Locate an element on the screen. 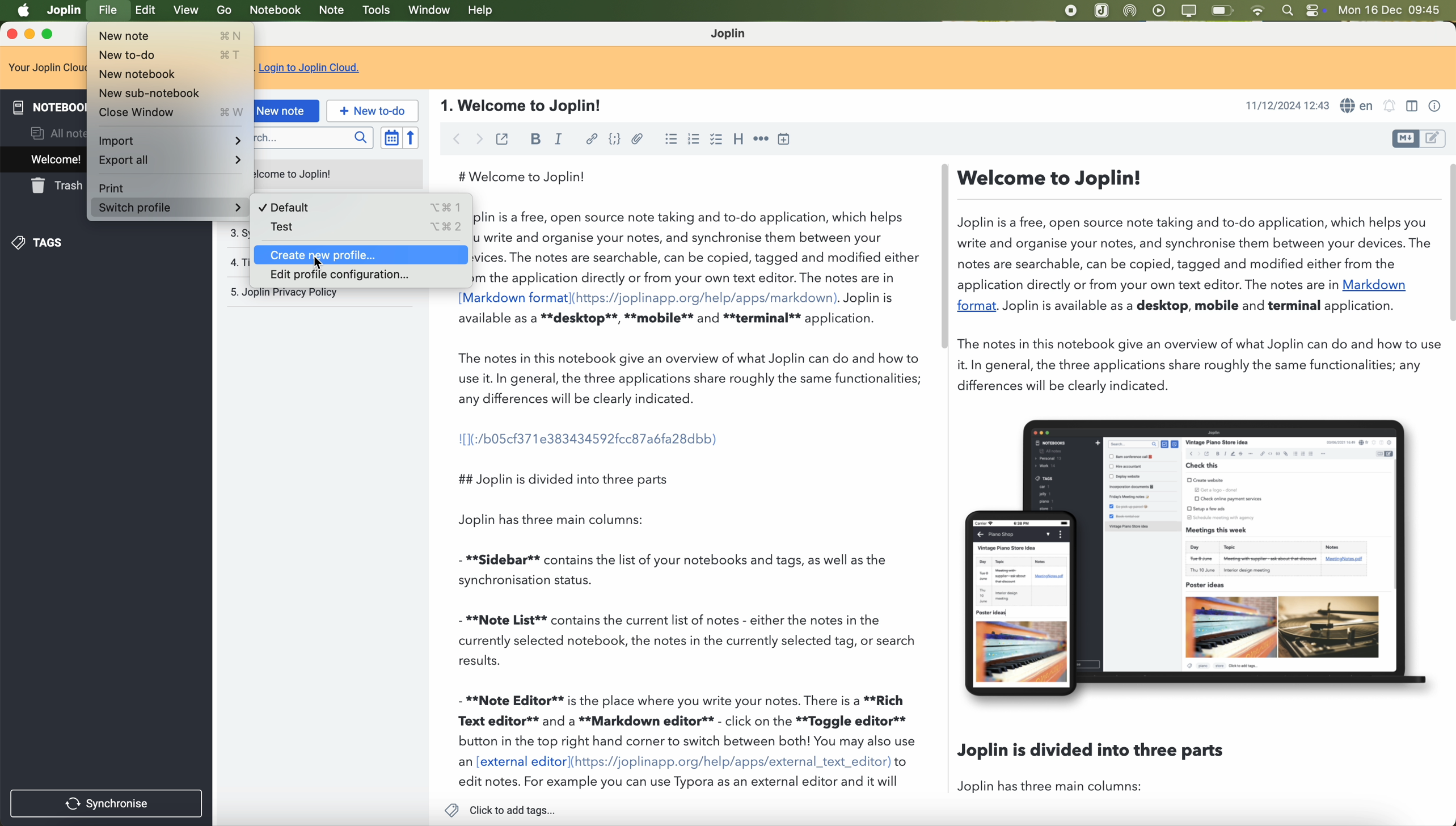  edit is located at coordinates (147, 11).